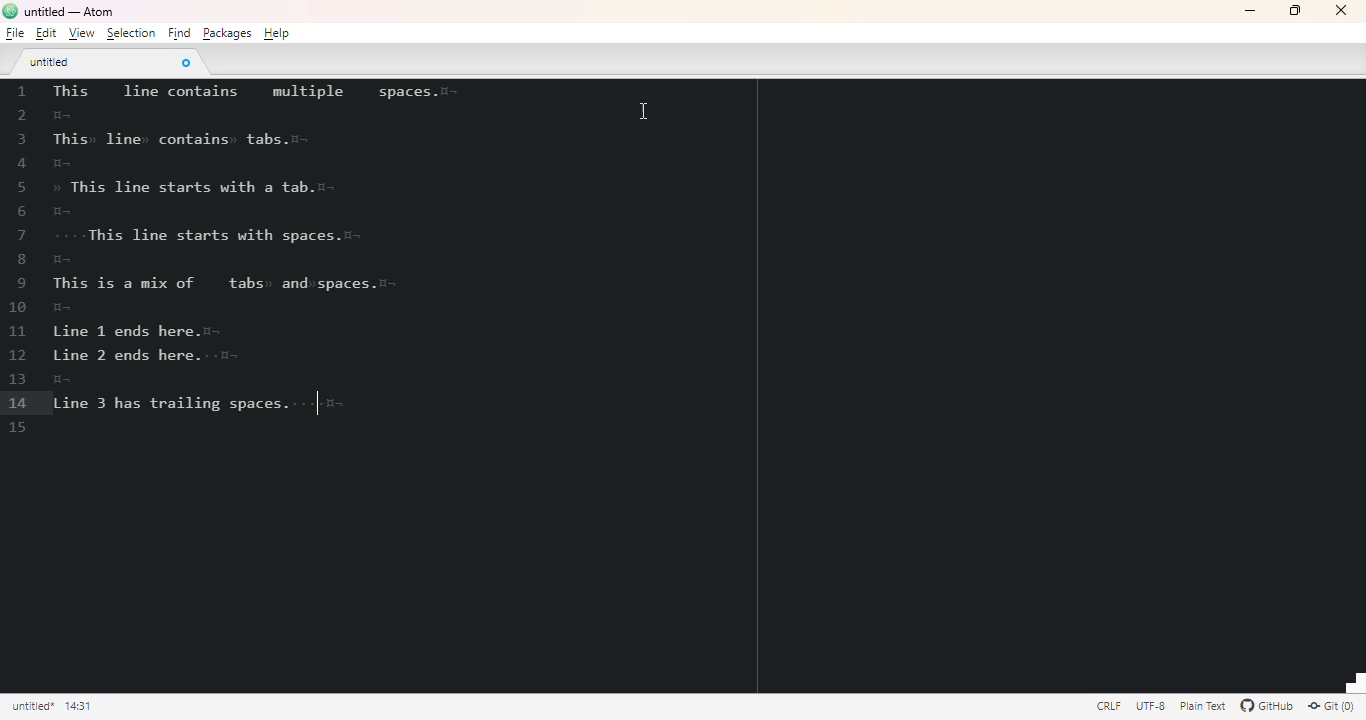 This screenshot has width=1366, height=720. I want to click on invisible characters, so click(224, 355).